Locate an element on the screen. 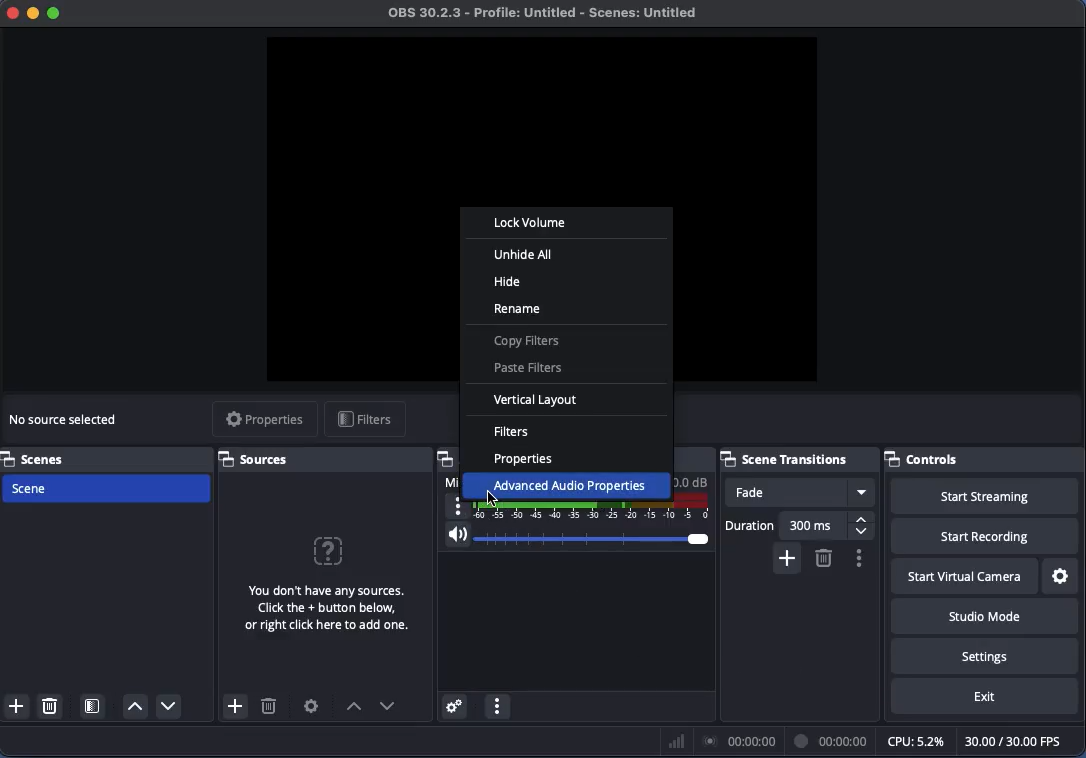 This screenshot has width=1086, height=758. Advanced audio properties is located at coordinates (453, 707).